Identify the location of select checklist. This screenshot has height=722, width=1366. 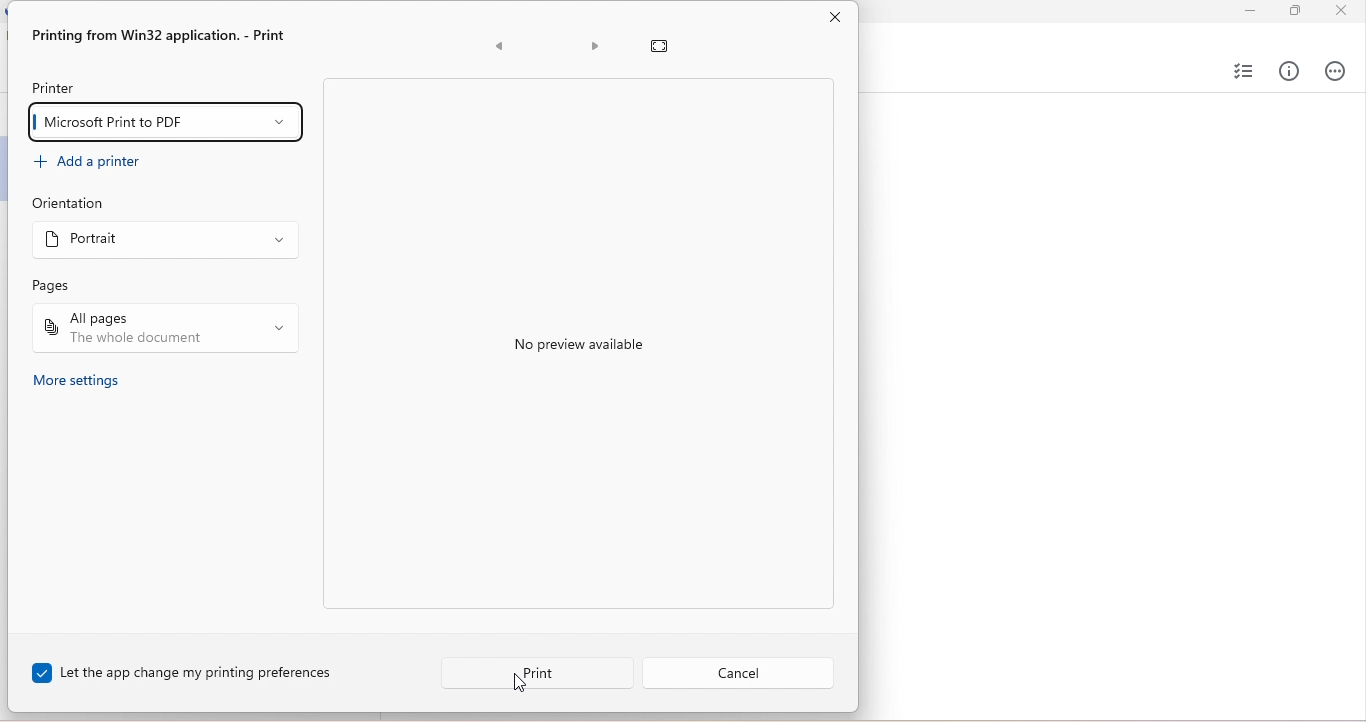
(1240, 71).